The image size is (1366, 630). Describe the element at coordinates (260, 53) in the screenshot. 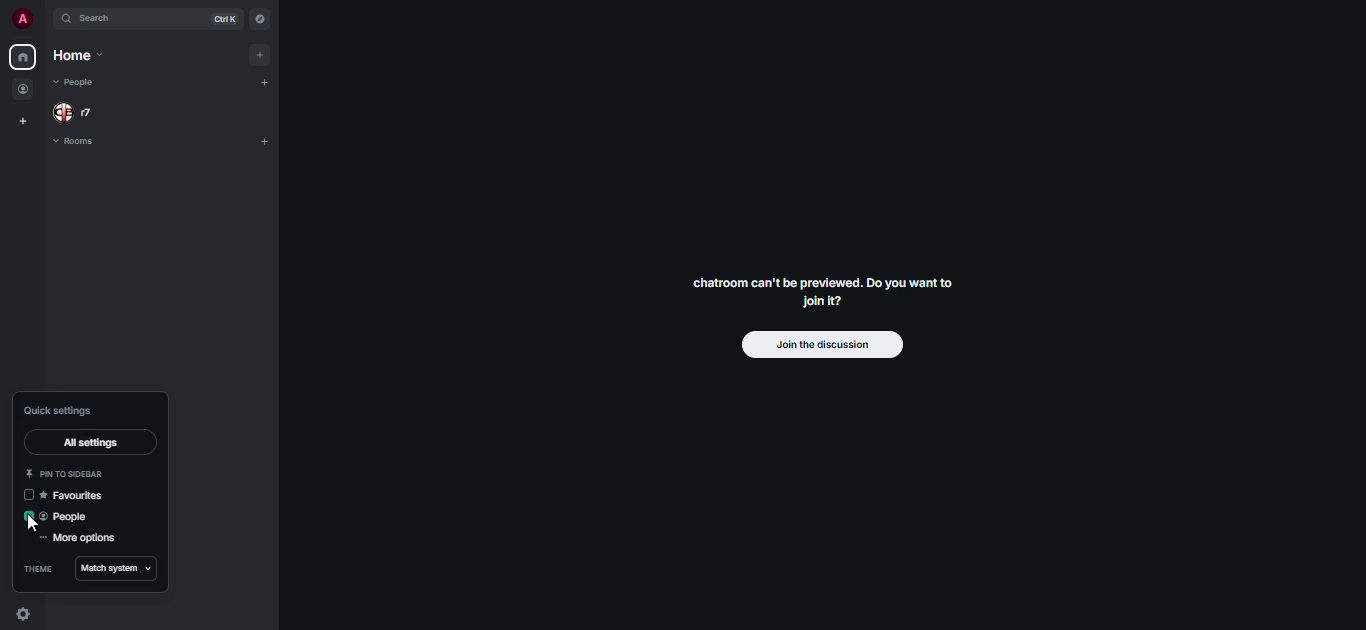

I see `add` at that location.